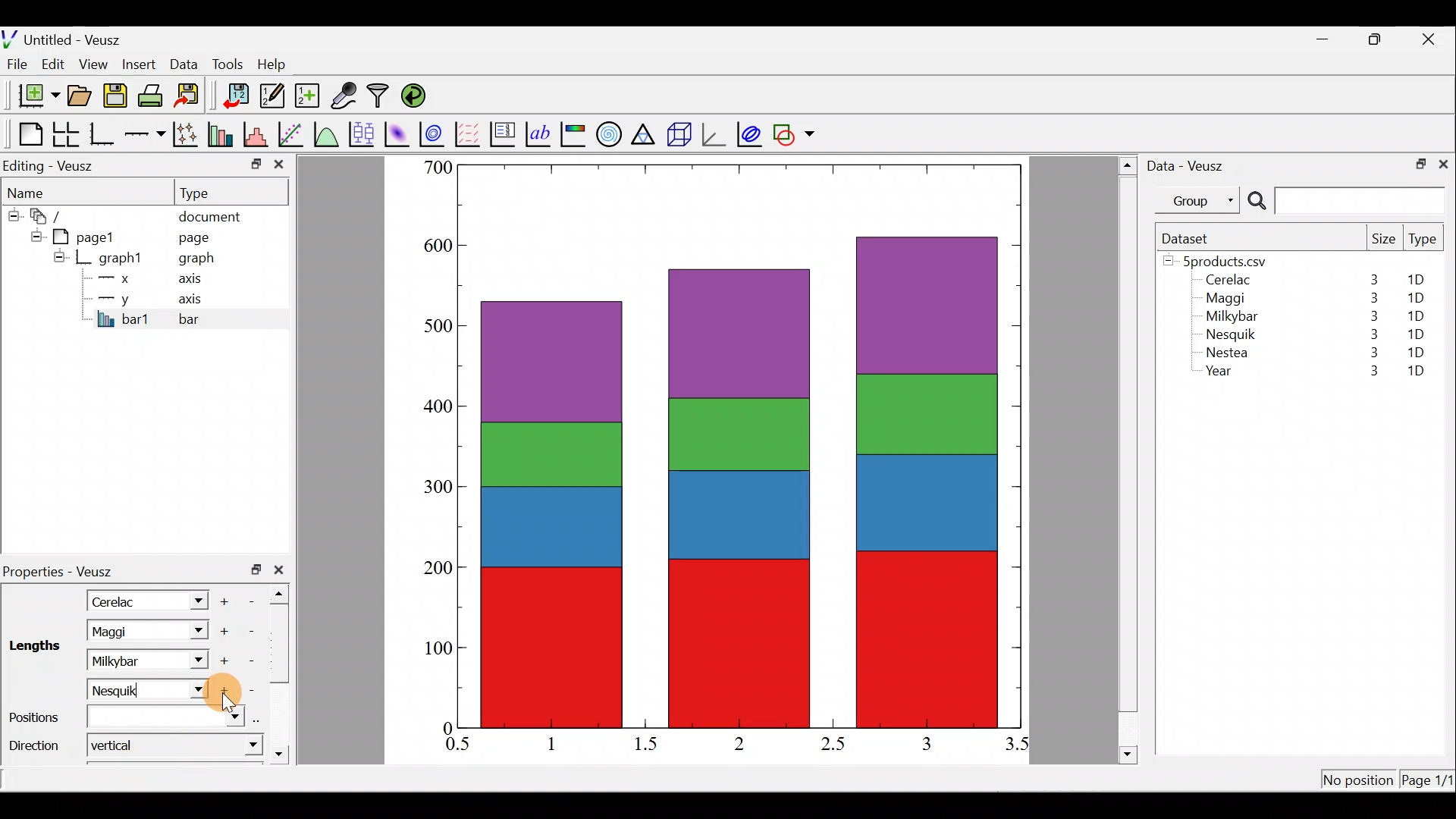 The image size is (1456, 819). I want to click on Type, so click(1424, 243).